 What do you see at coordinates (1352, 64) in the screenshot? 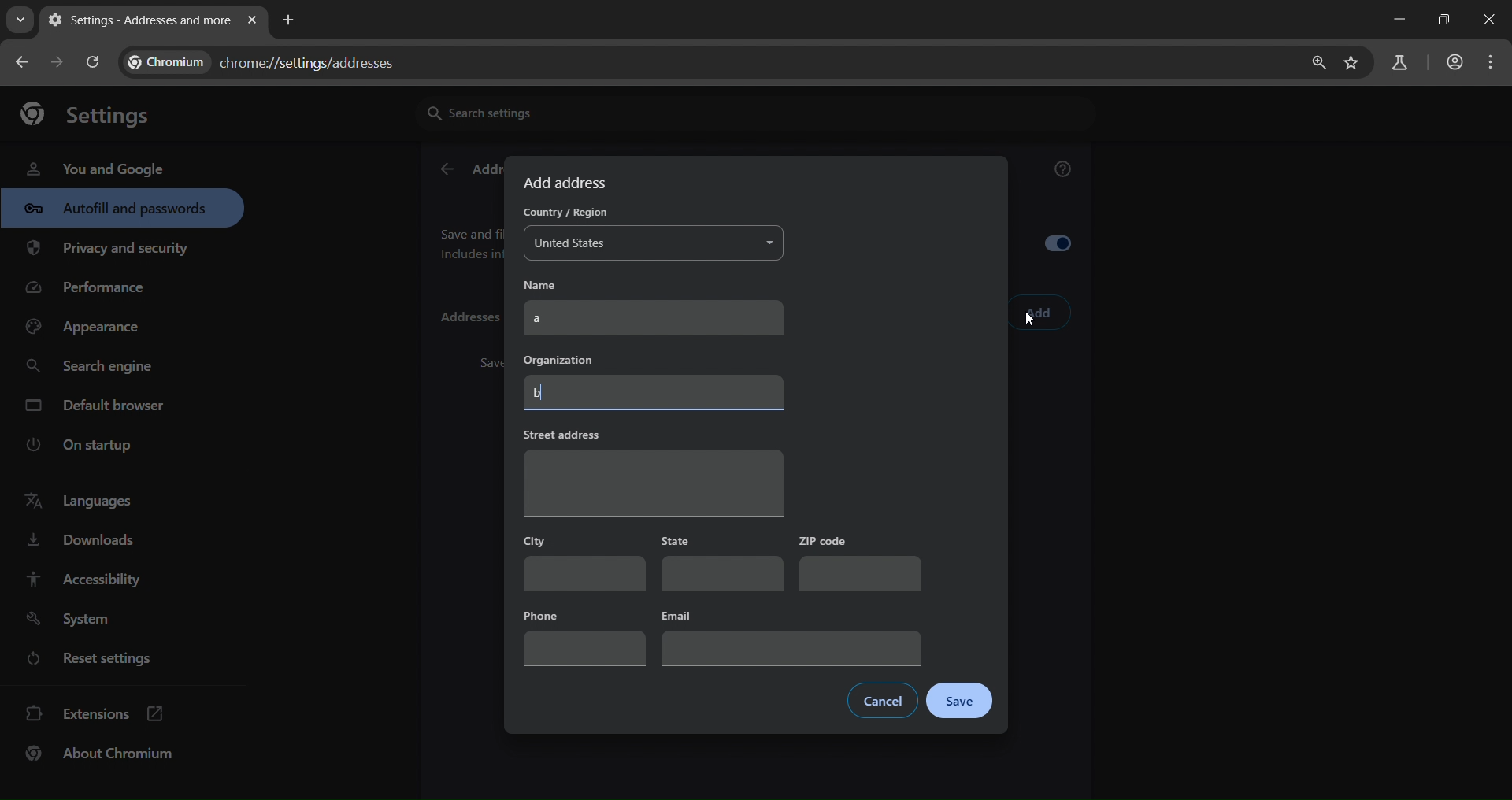
I see `bookmark page` at bounding box center [1352, 64].